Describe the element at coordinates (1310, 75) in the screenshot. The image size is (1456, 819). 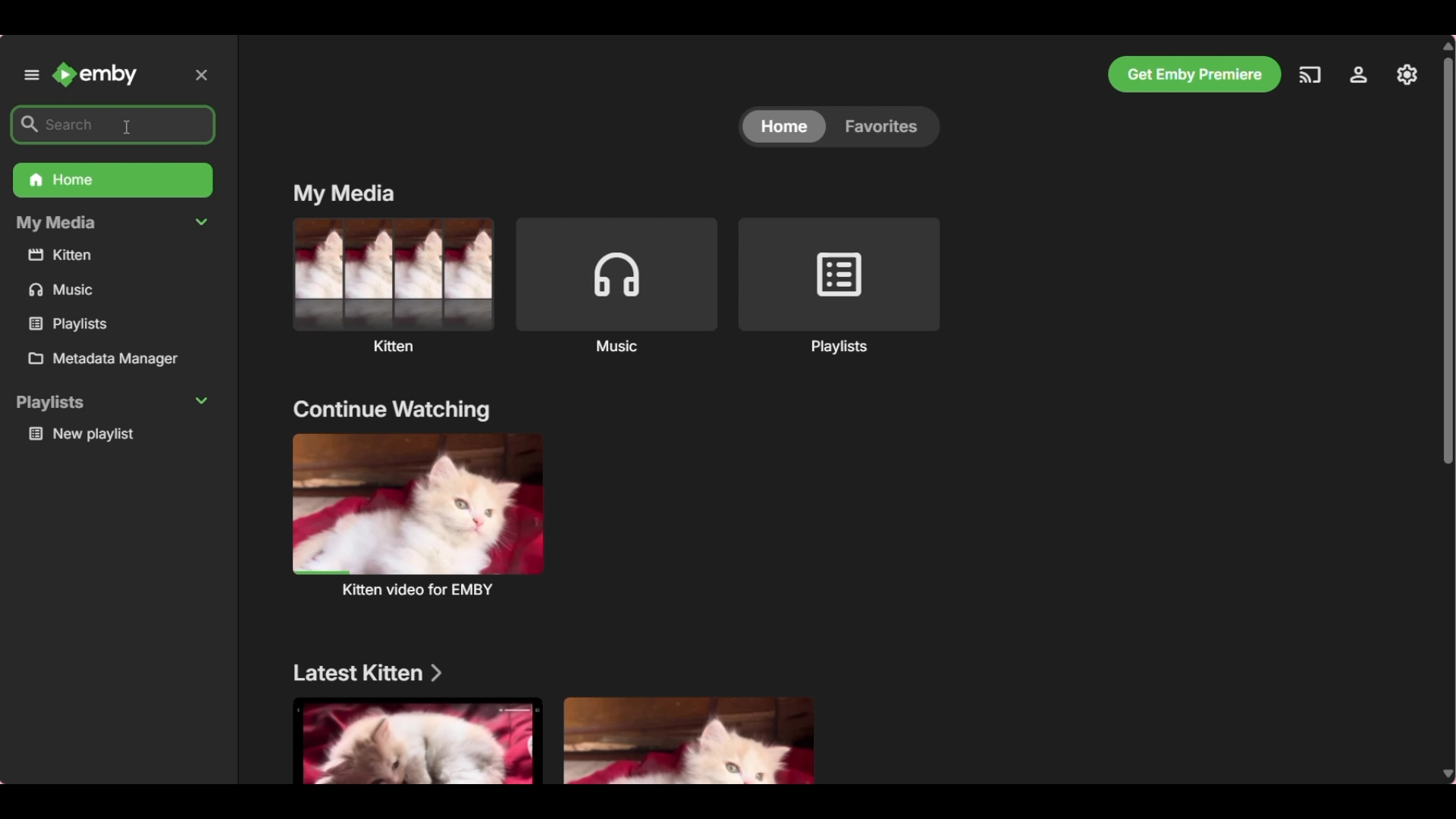
I see `Play on another device` at that location.